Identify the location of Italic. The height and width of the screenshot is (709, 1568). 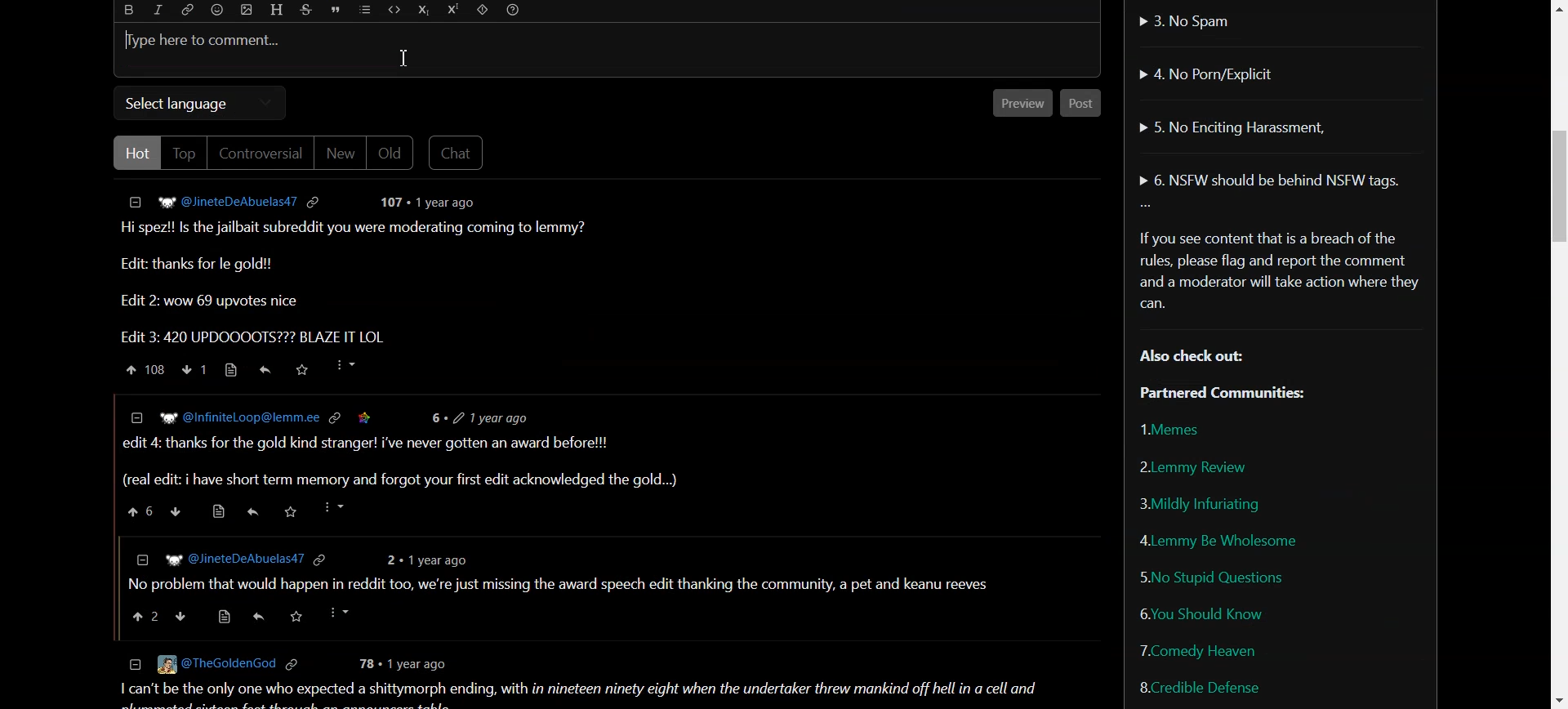
(158, 10).